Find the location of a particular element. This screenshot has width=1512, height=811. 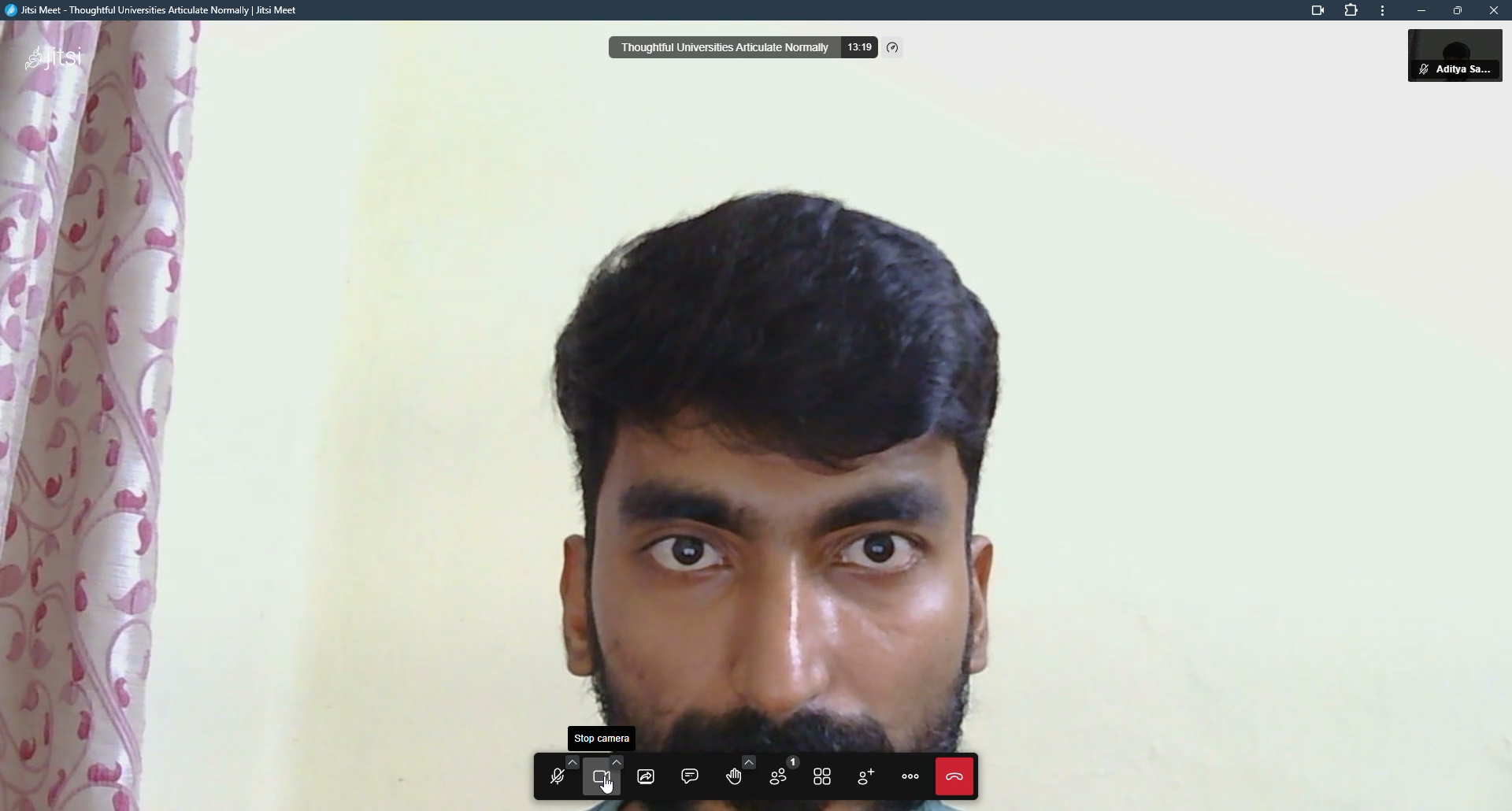

Aditya Sarker is located at coordinates (1457, 55).